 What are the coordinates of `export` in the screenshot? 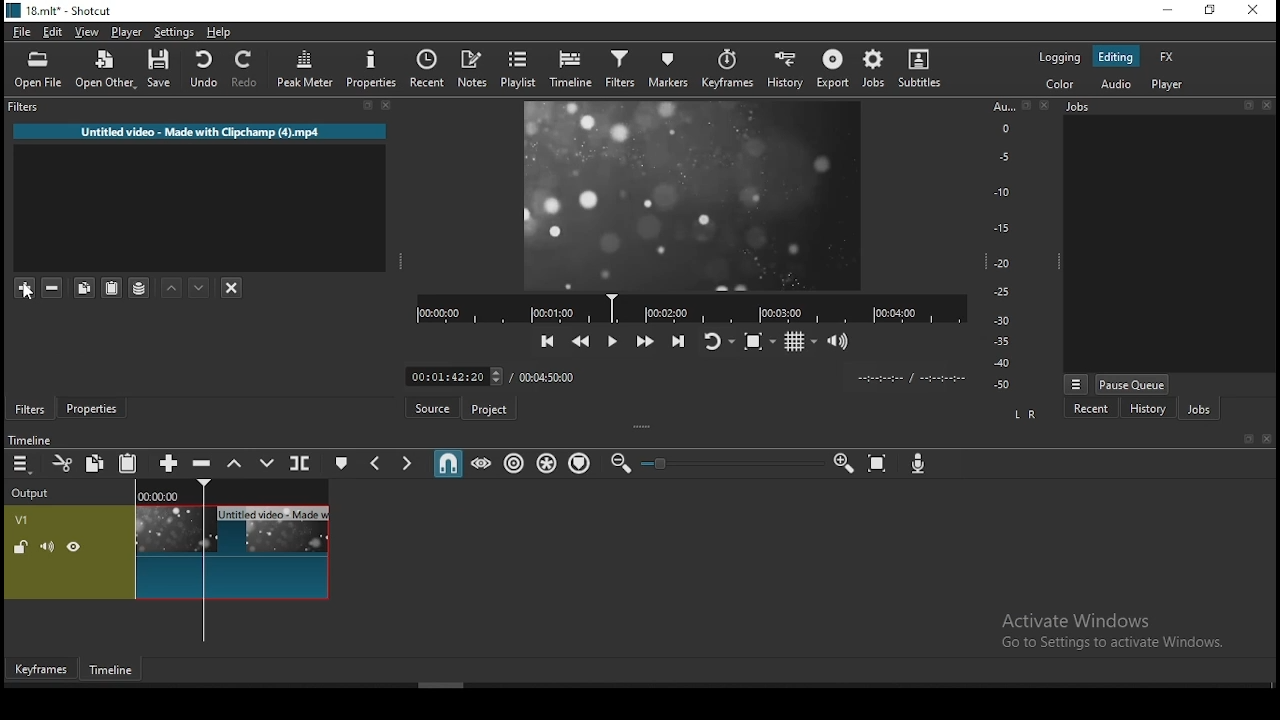 It's located at (831, 68).